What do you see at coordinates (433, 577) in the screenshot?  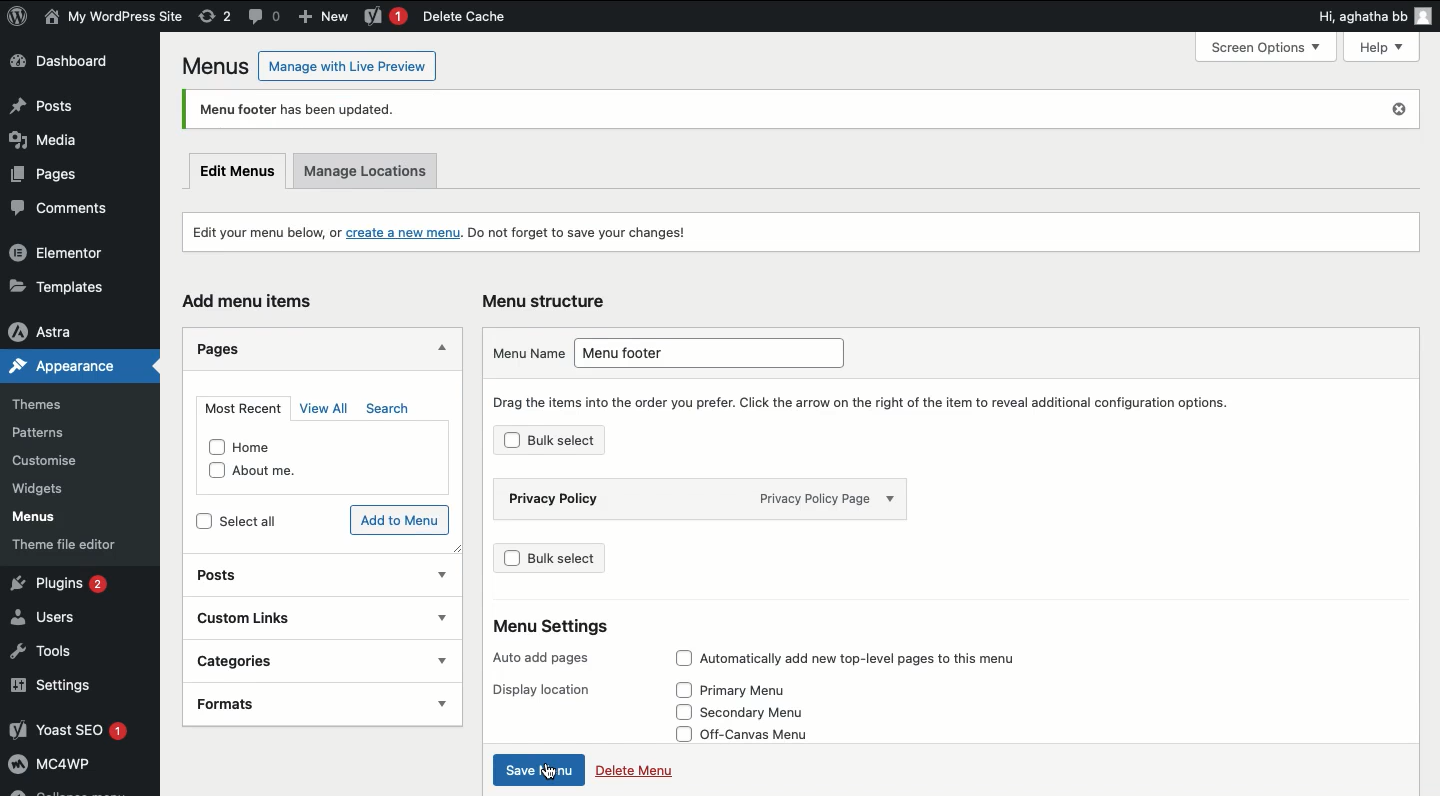 I see `show` at bounding box center [433, 577].